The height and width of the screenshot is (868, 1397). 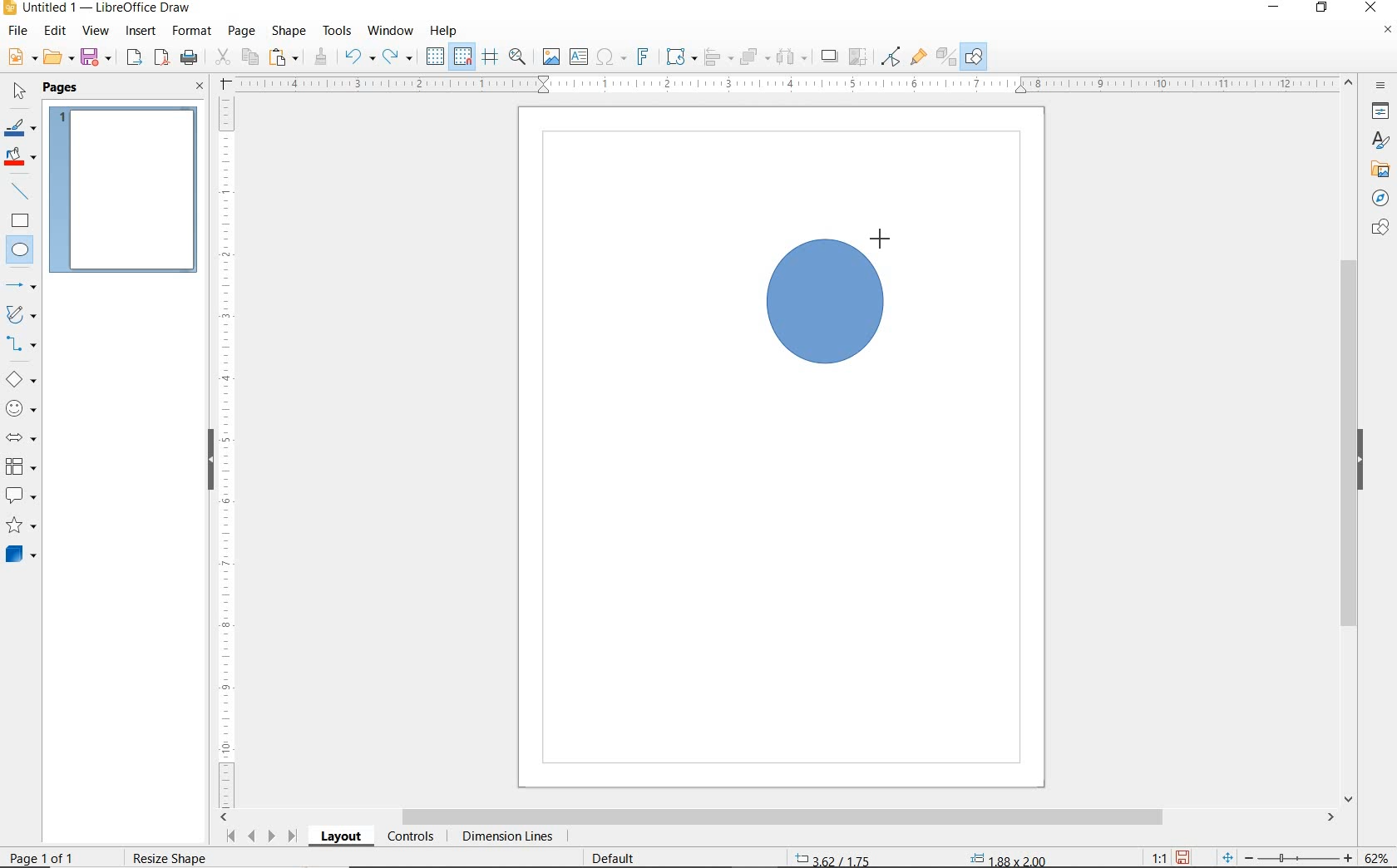 I want to click on TOGGLE EXTRUSION, so click(x=946, y=58).